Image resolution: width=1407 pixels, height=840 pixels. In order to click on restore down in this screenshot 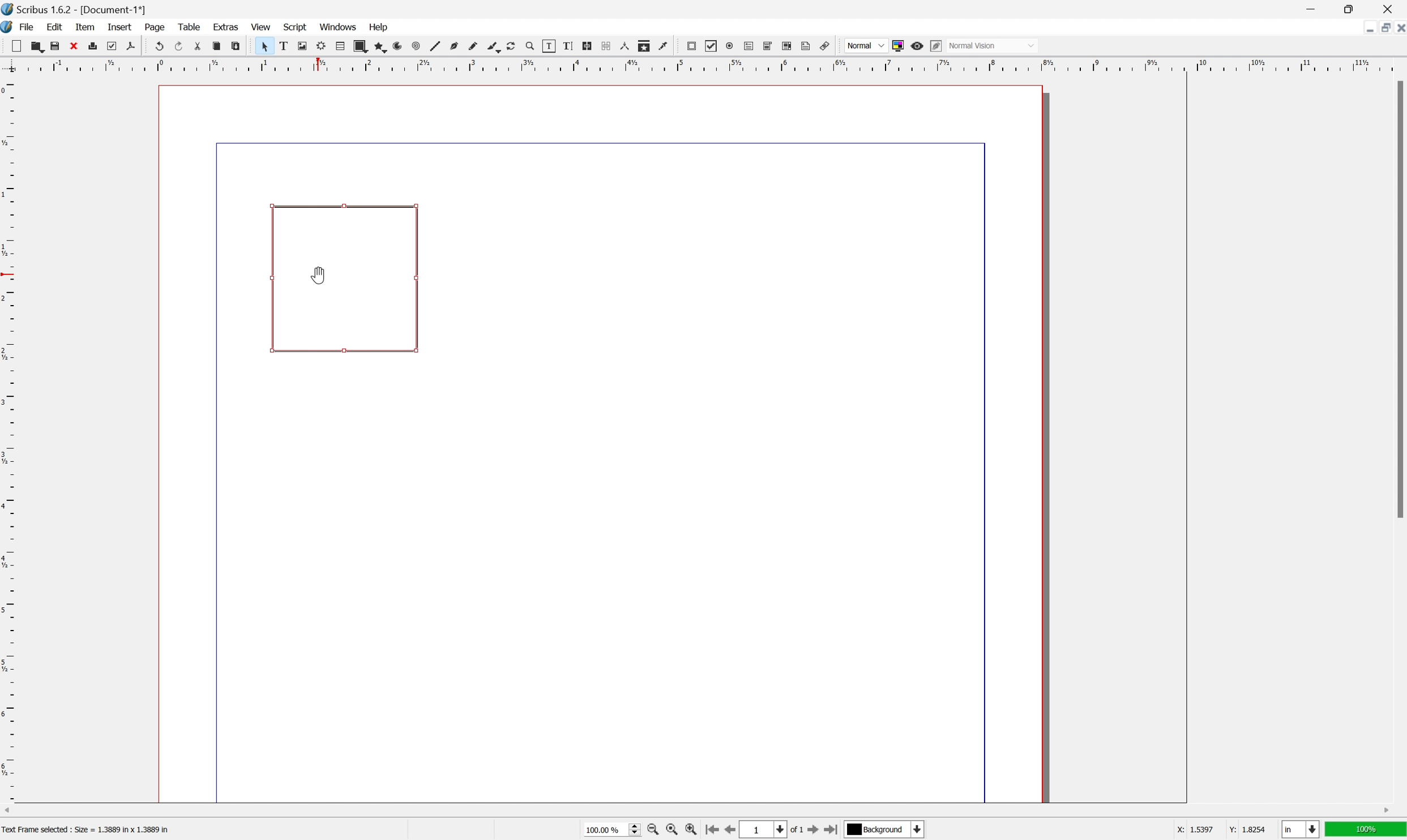, I will do `click(1380, 28)`.